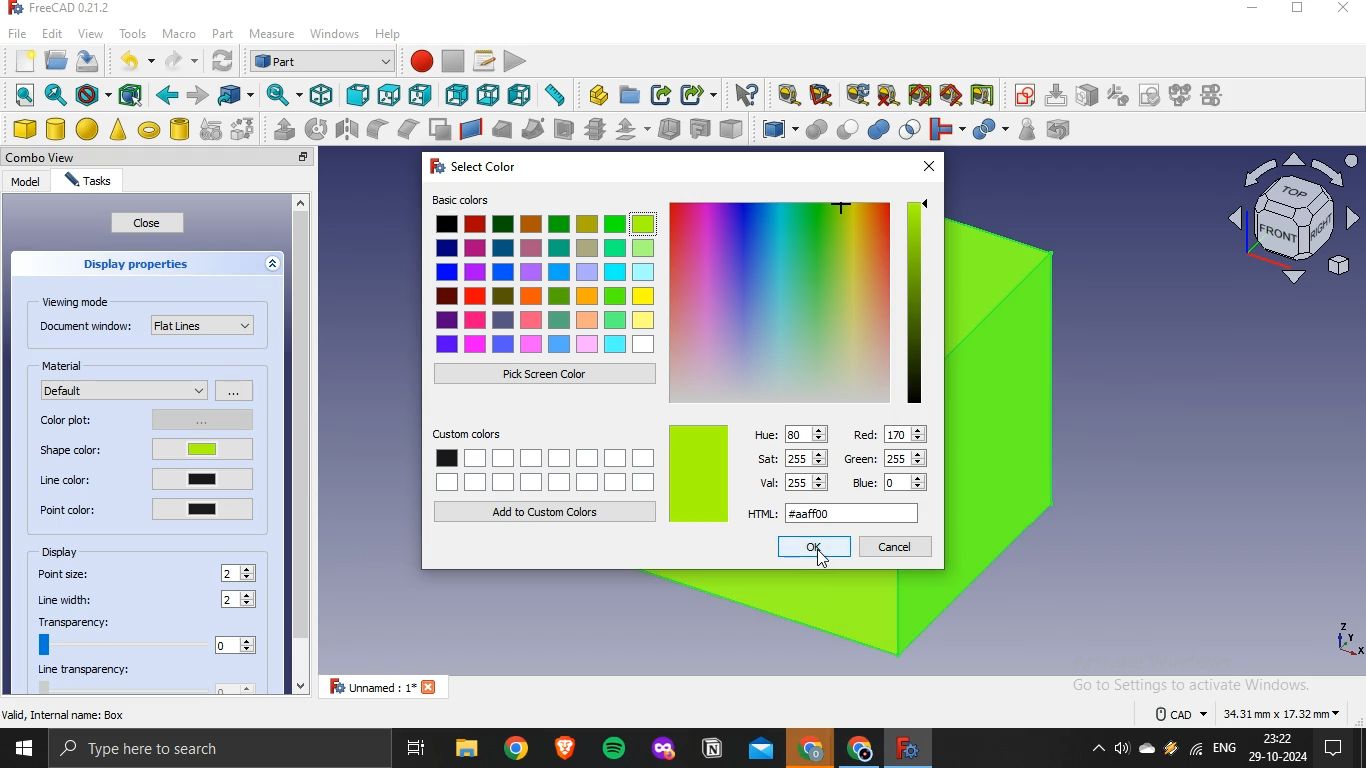 The image size is (1366, 768). Describe the element at coordinates (118, 129) in the screenshot. I see `cone` at that location.